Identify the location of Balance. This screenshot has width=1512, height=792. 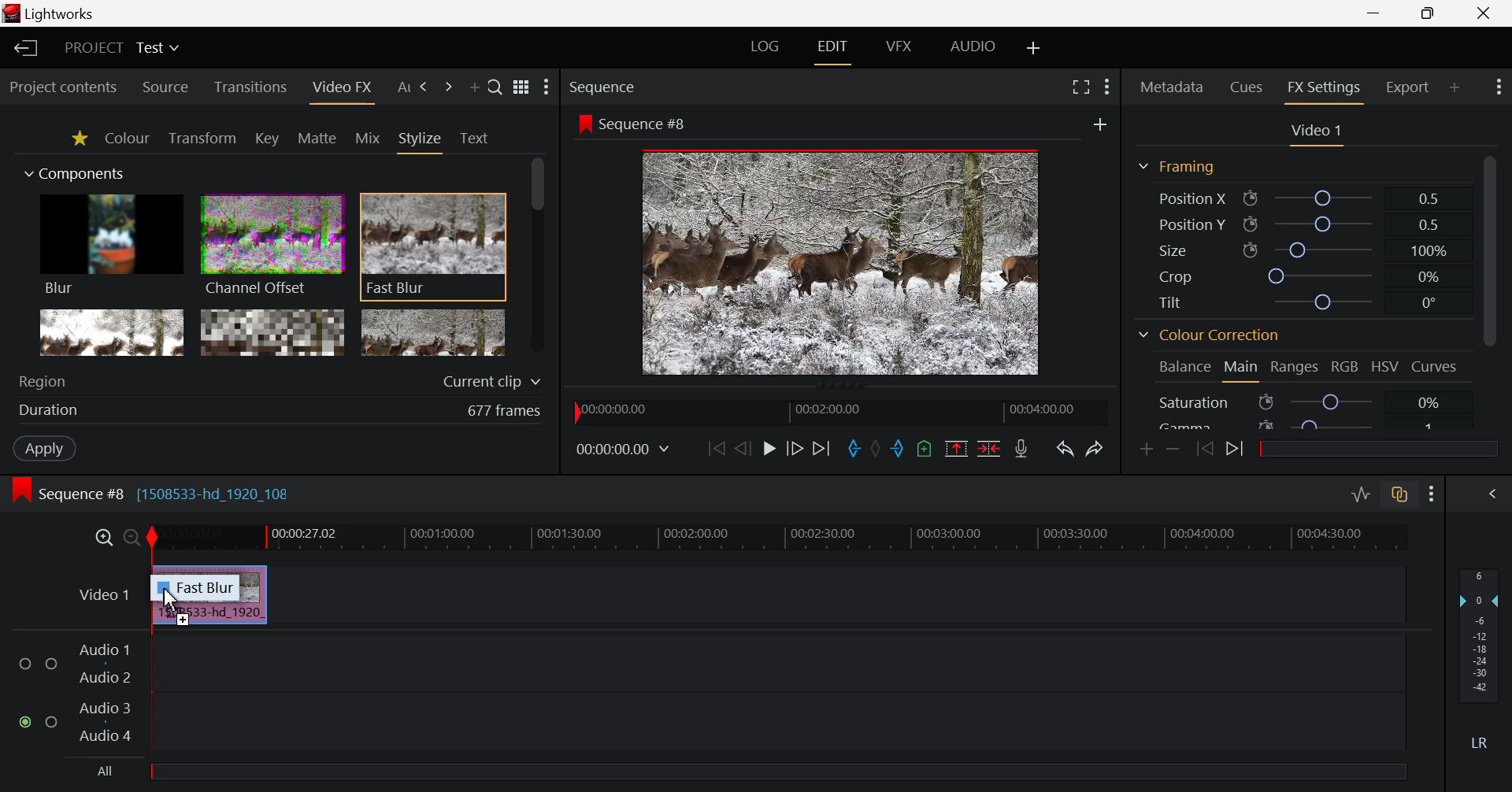
(1184, 369).